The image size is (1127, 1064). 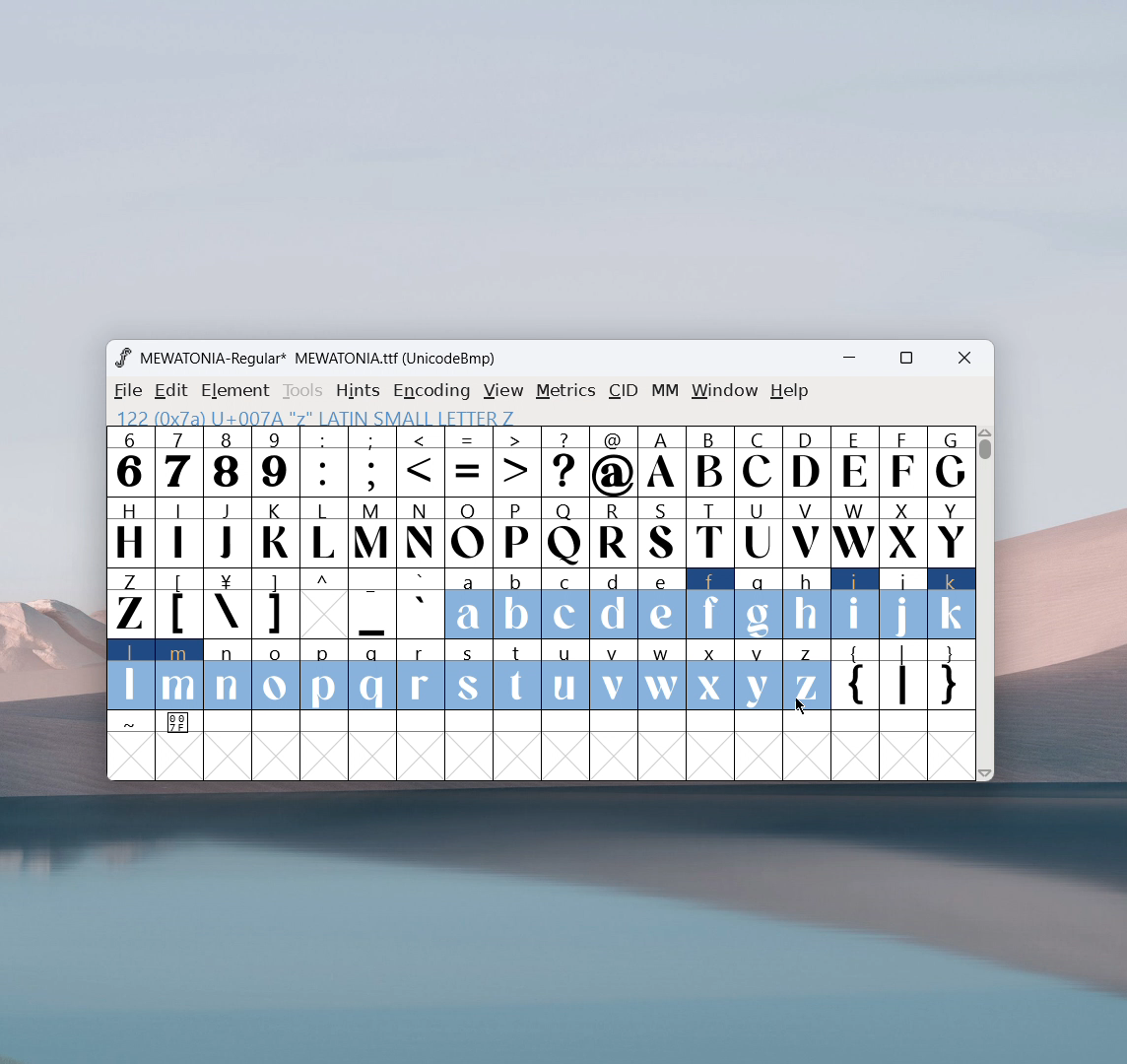 What do you see at coordinates (805, 460) in the screenshot?
I see `D` at bounding box center [805, 460].